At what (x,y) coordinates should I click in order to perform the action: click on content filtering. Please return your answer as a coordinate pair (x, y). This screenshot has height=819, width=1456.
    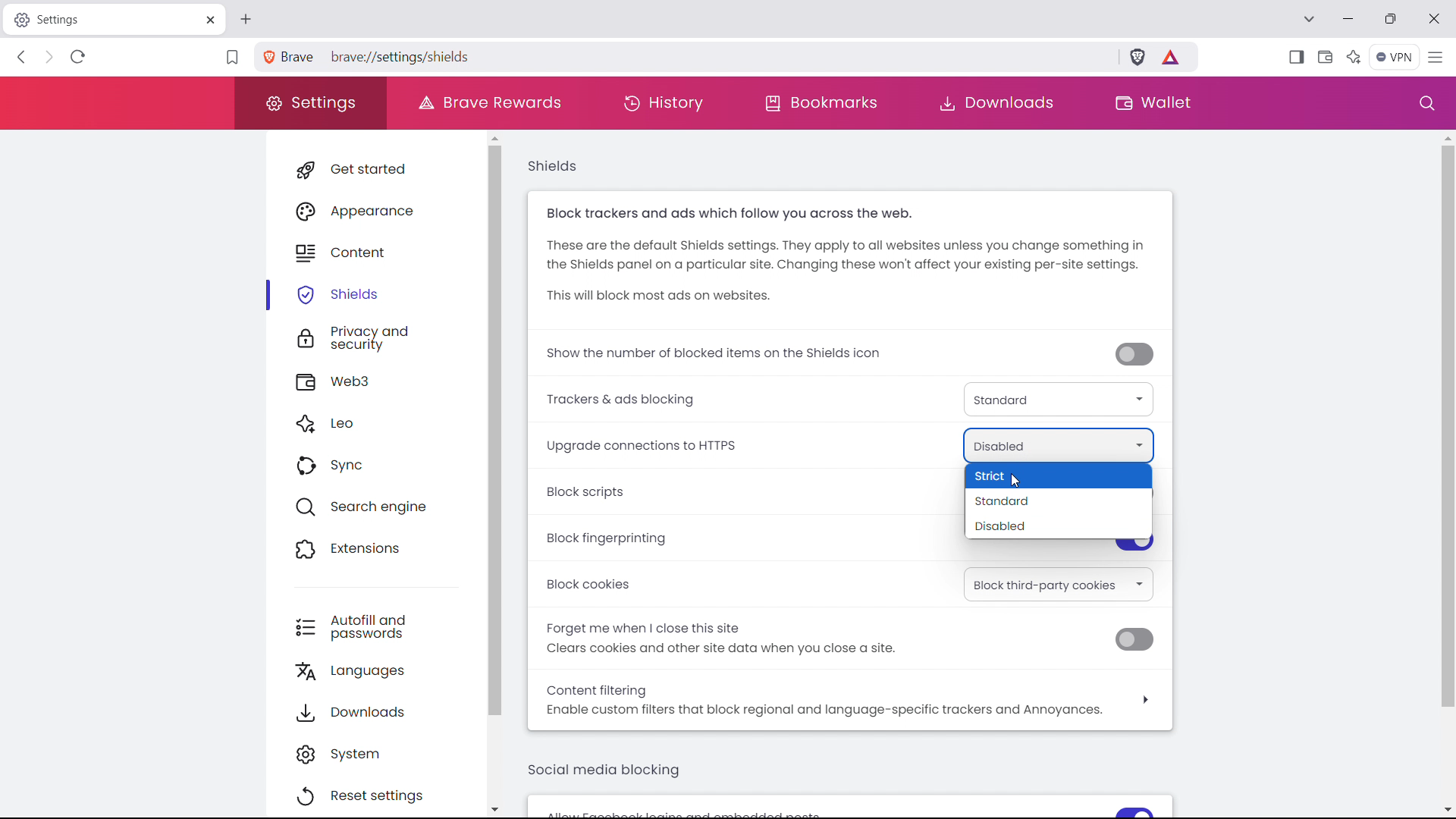
    Looking at the image, I should click on (850, 699).